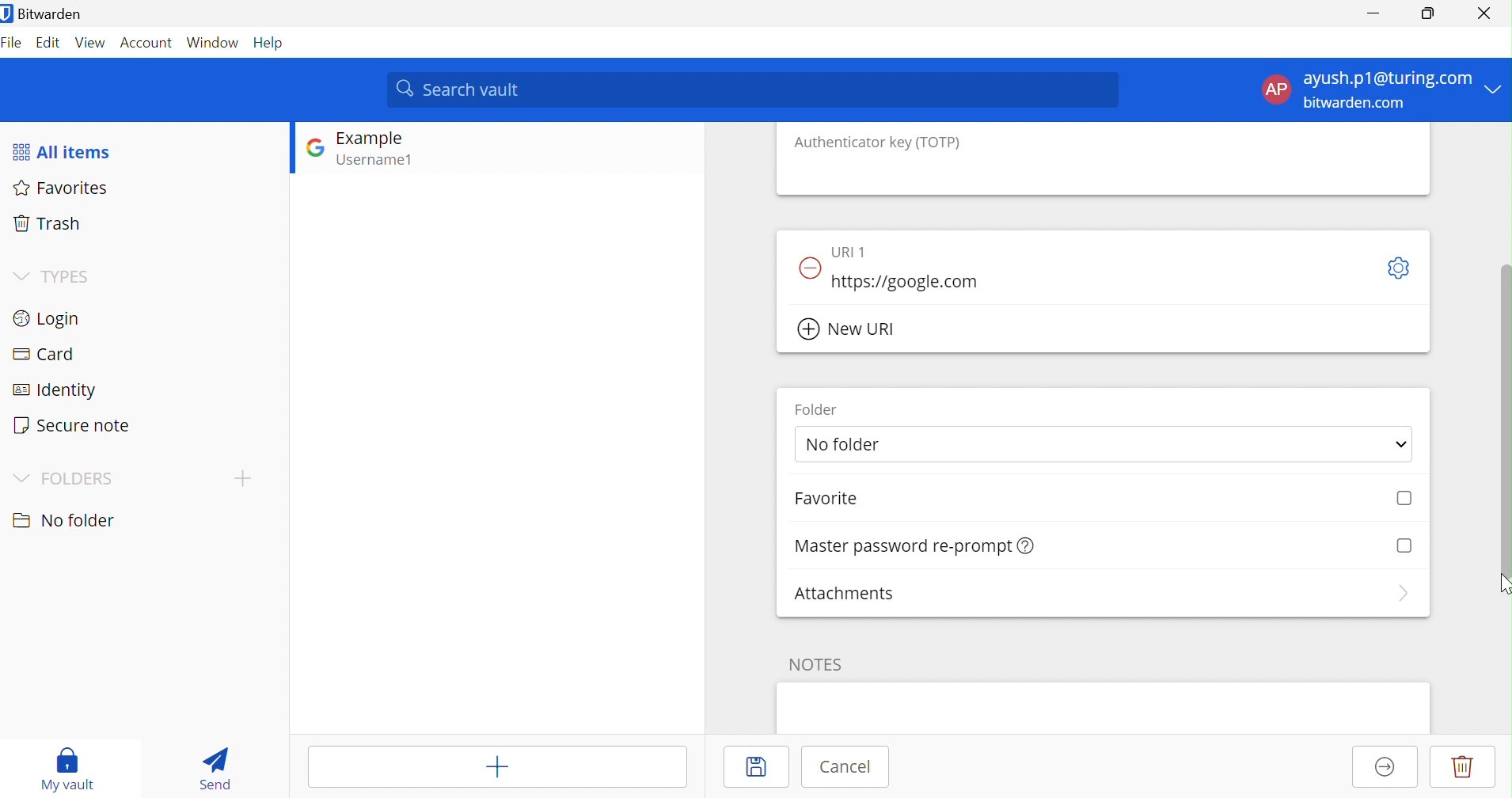 This screenshot has height=798, width=1512. Describe the element at coordinates (272, 43) in the screenshot. I see `Help` at that location.